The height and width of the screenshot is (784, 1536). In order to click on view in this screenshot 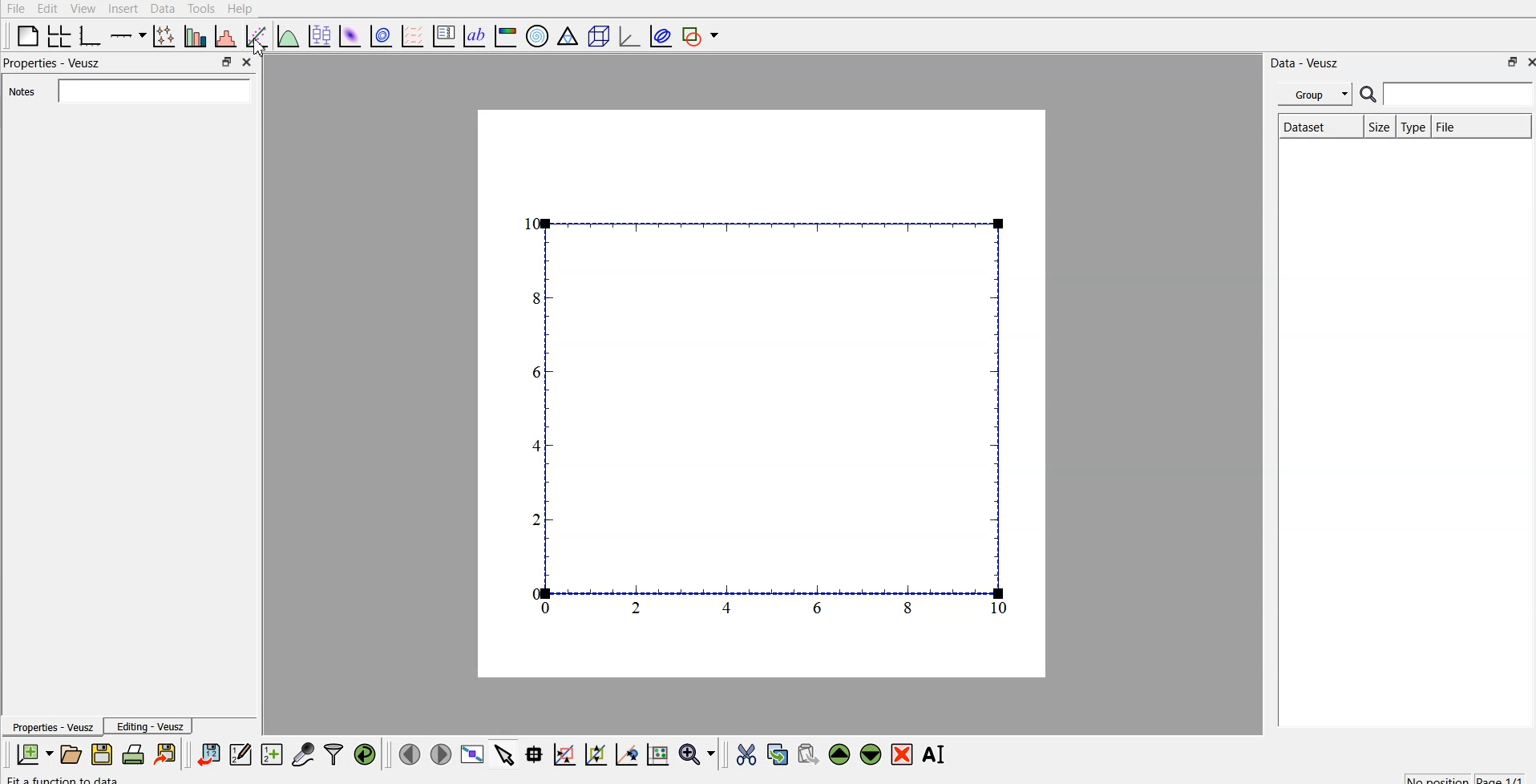, I will do `click(81, 8)`.